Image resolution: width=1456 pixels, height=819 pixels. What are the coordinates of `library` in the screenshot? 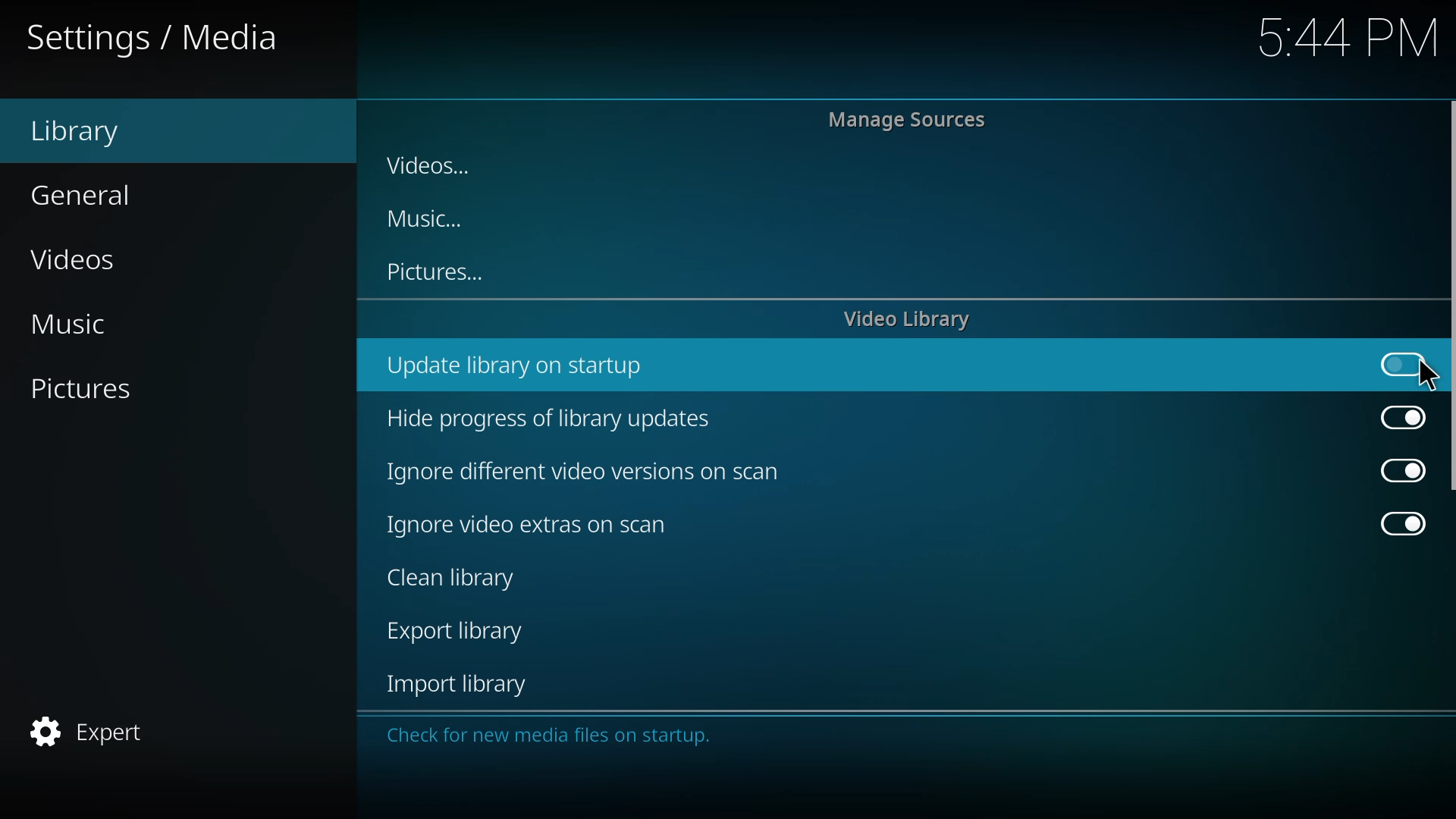 It's located at (85, 131).